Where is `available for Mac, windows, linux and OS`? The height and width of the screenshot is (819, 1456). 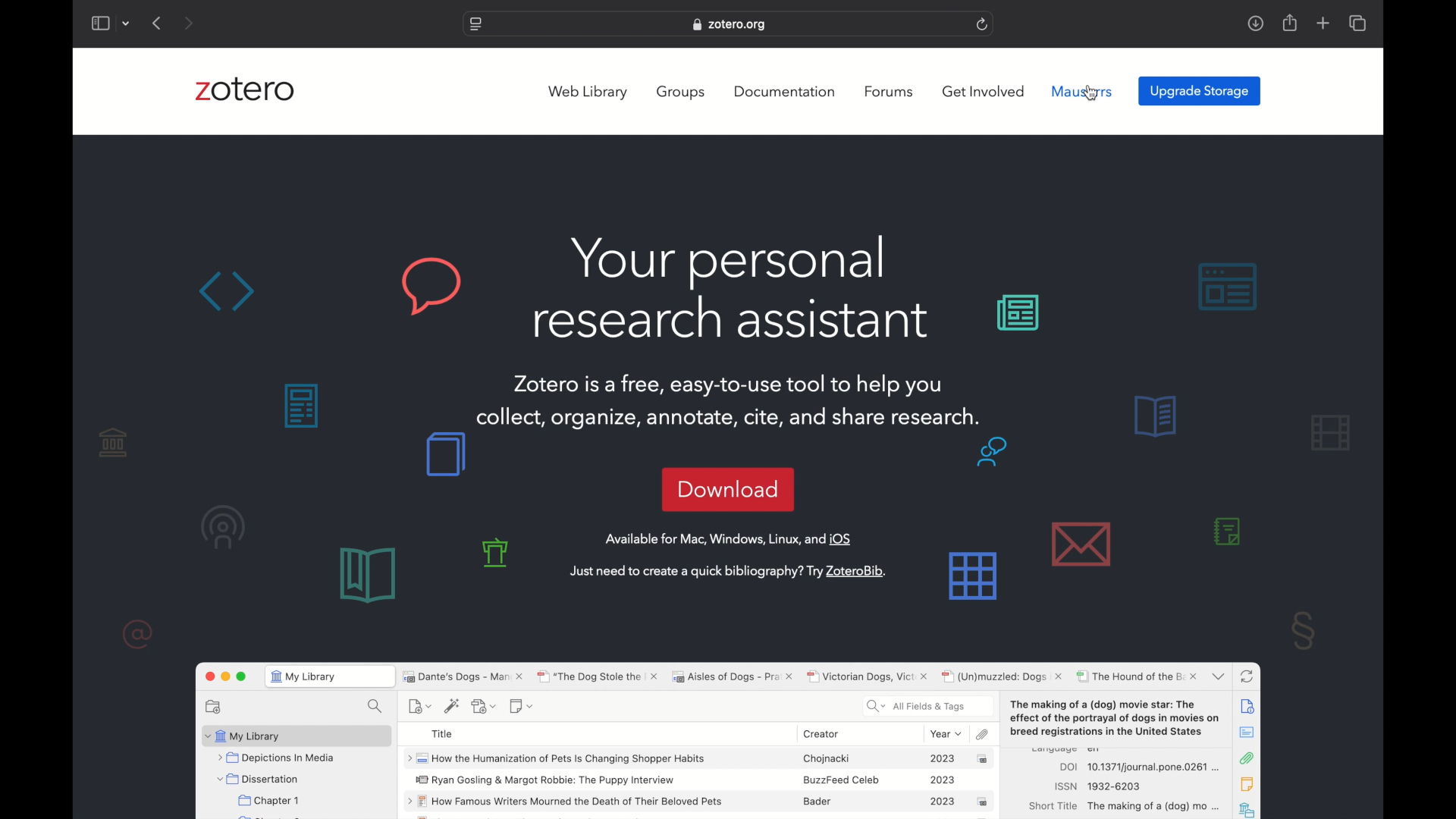 available for Mac, windows, linux and OS is located at coordinates (729, 539).